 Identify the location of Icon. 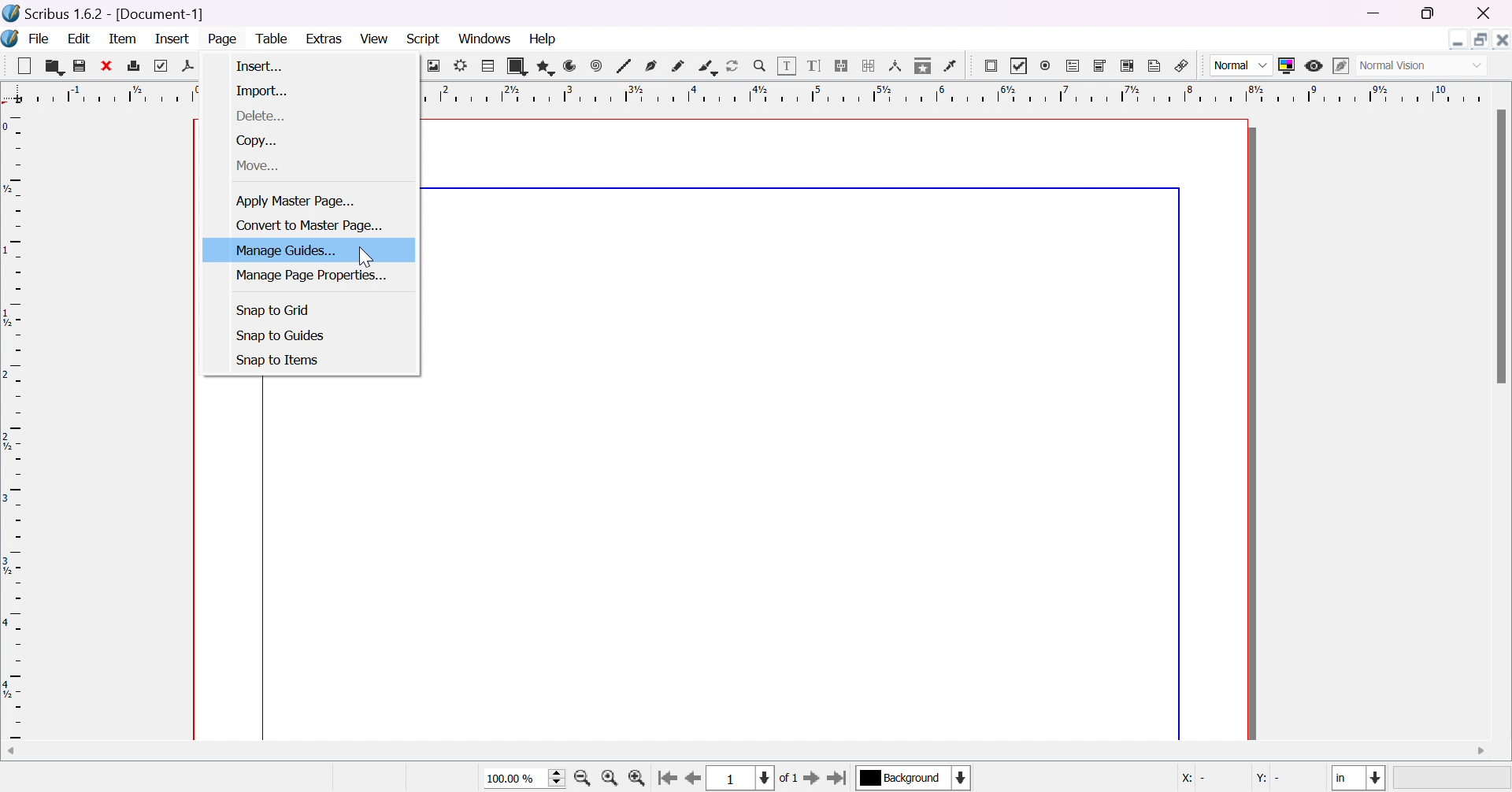
(11, 39).